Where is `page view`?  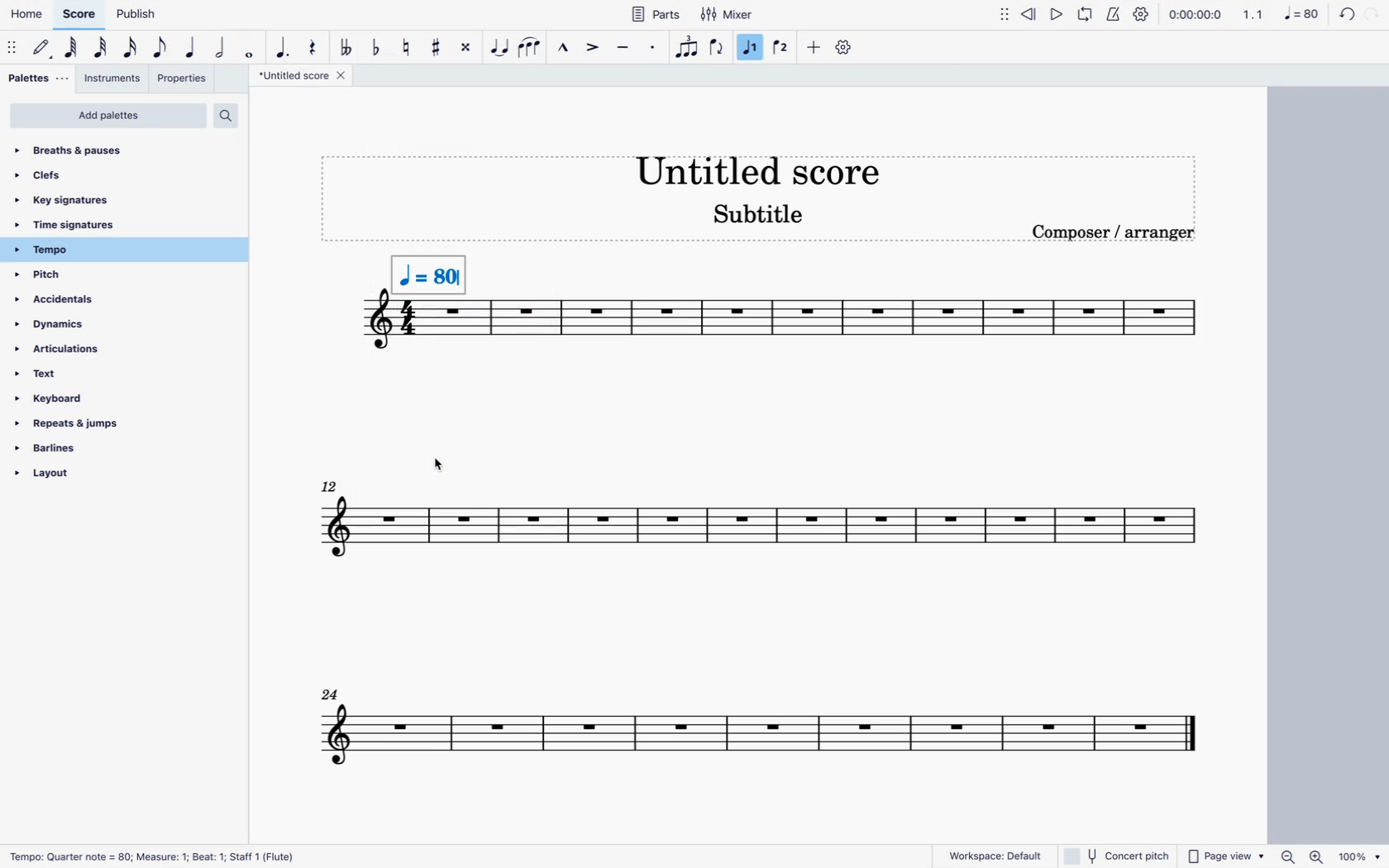 page view is located at coordinates (1228, 855).